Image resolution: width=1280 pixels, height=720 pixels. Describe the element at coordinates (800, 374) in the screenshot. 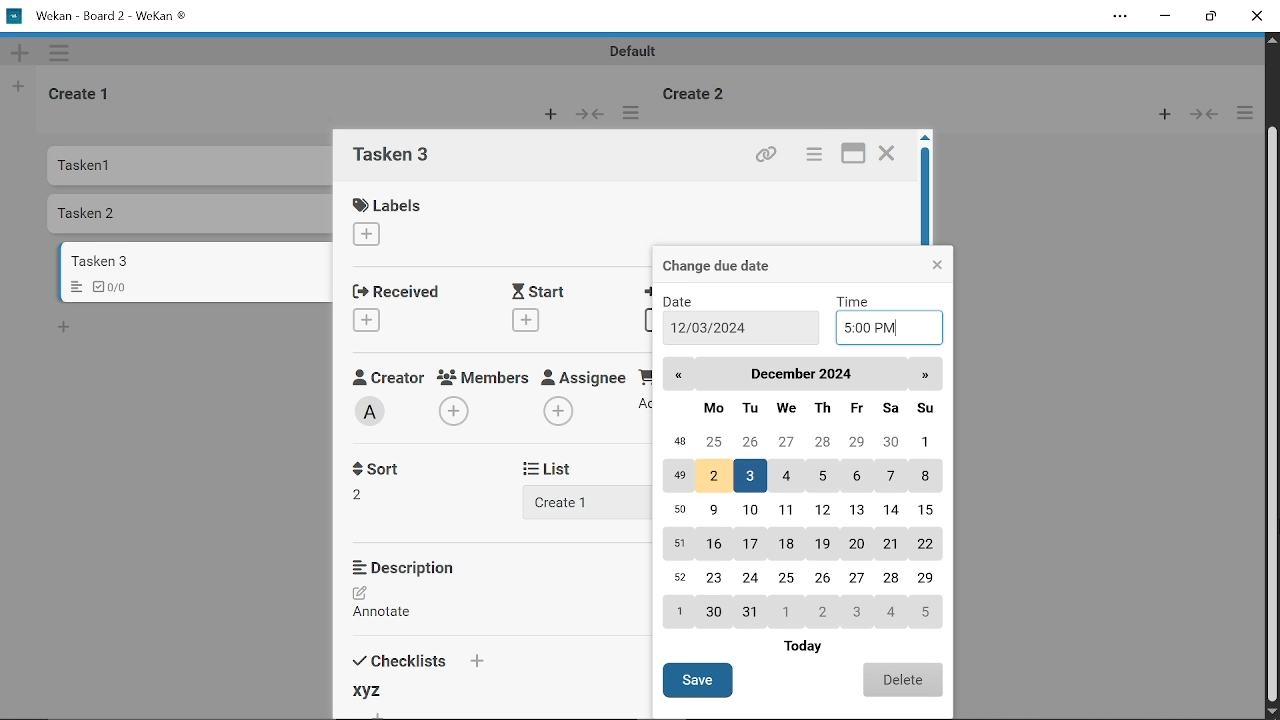

I see `Current month` at that location.